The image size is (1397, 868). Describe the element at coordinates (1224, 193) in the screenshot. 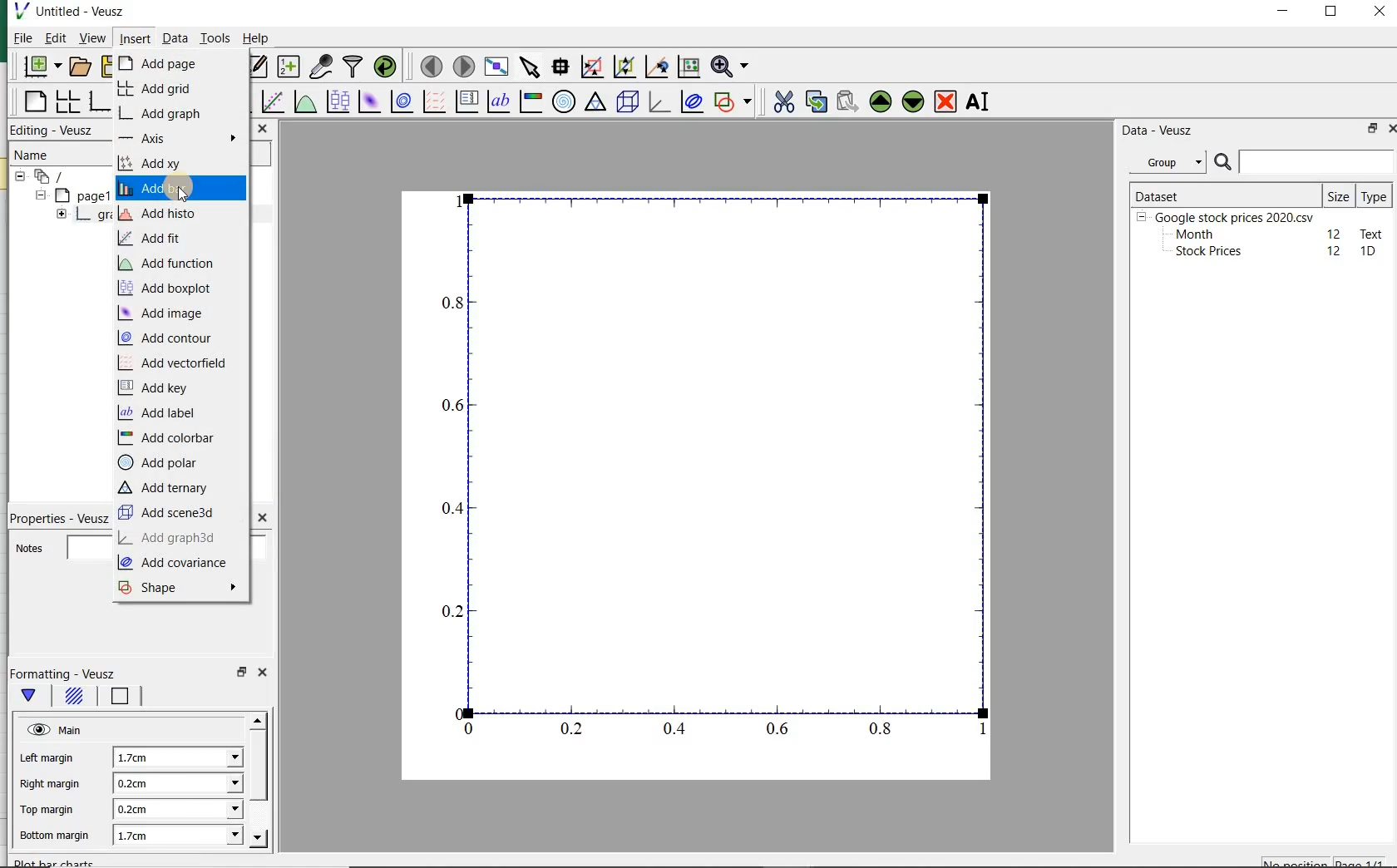

I see `DATASET` at that location.